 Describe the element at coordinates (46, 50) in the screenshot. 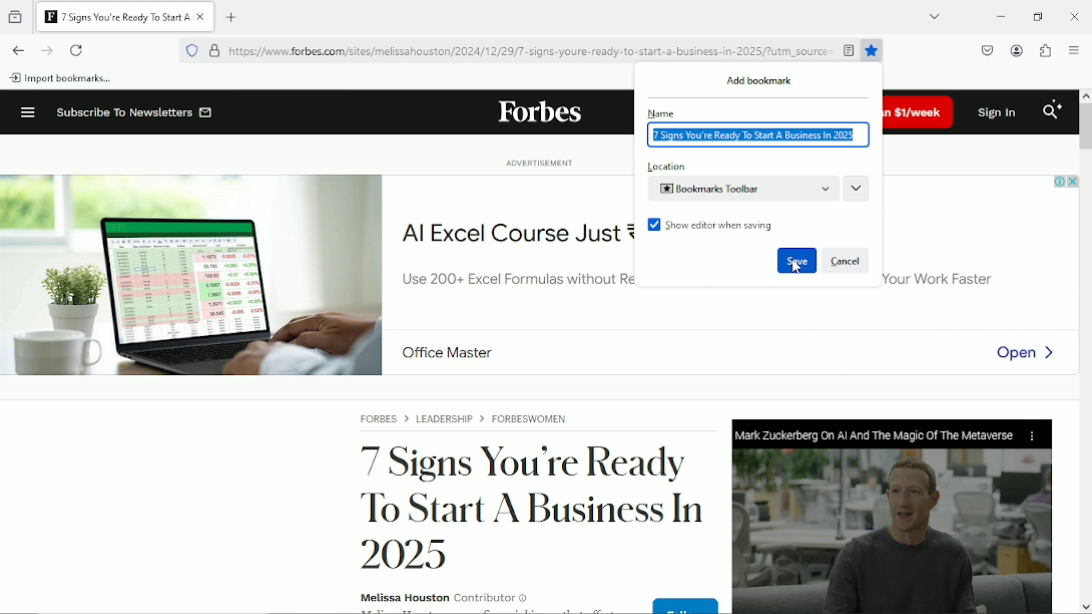

I see `Go forward` at that location.